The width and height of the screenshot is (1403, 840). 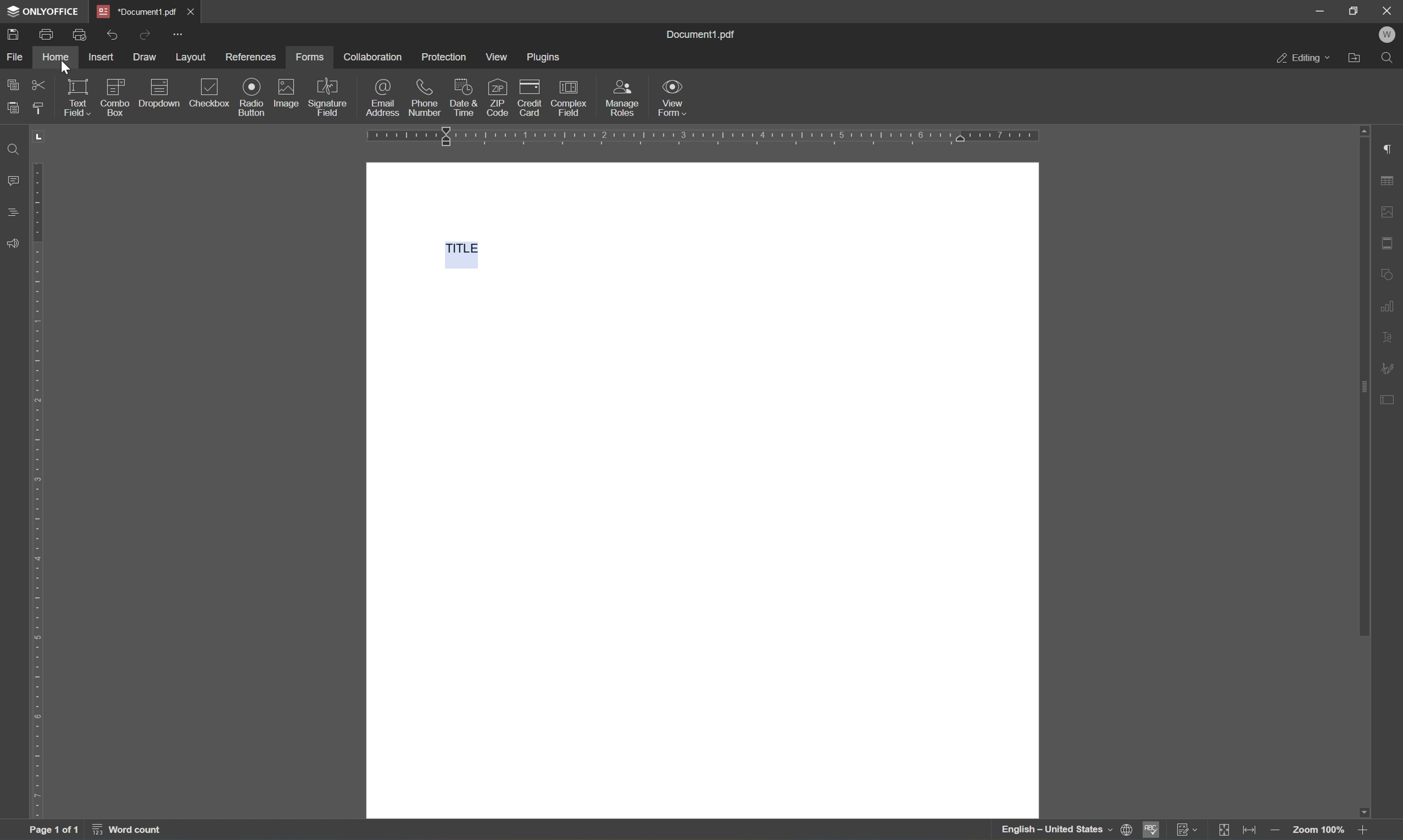 What do you see at coordinates (1363, 381) in the screenshot?
I see `scroll bar` at bounding box center [1363, 381].